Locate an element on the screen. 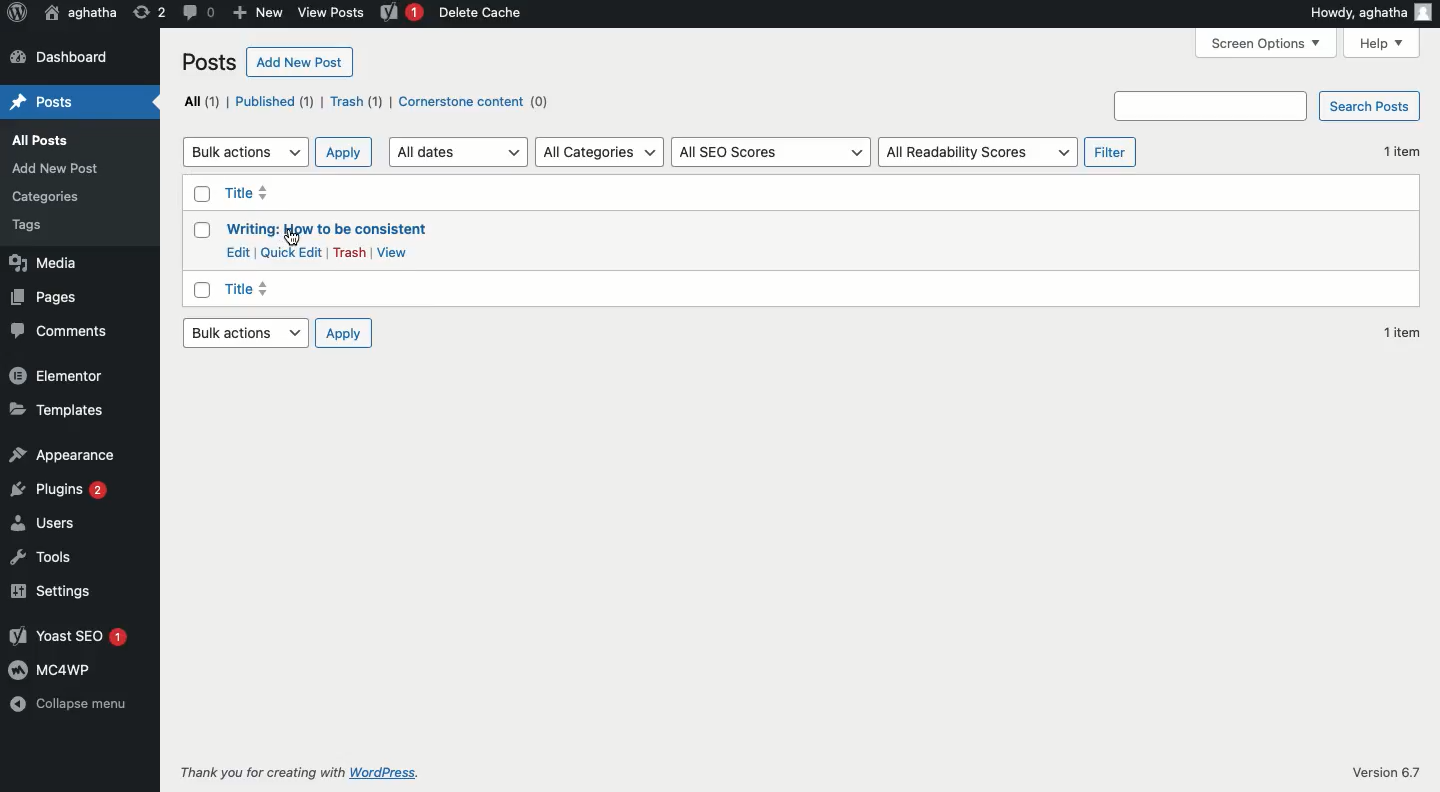  Edit is located at coordinates (237, 251).